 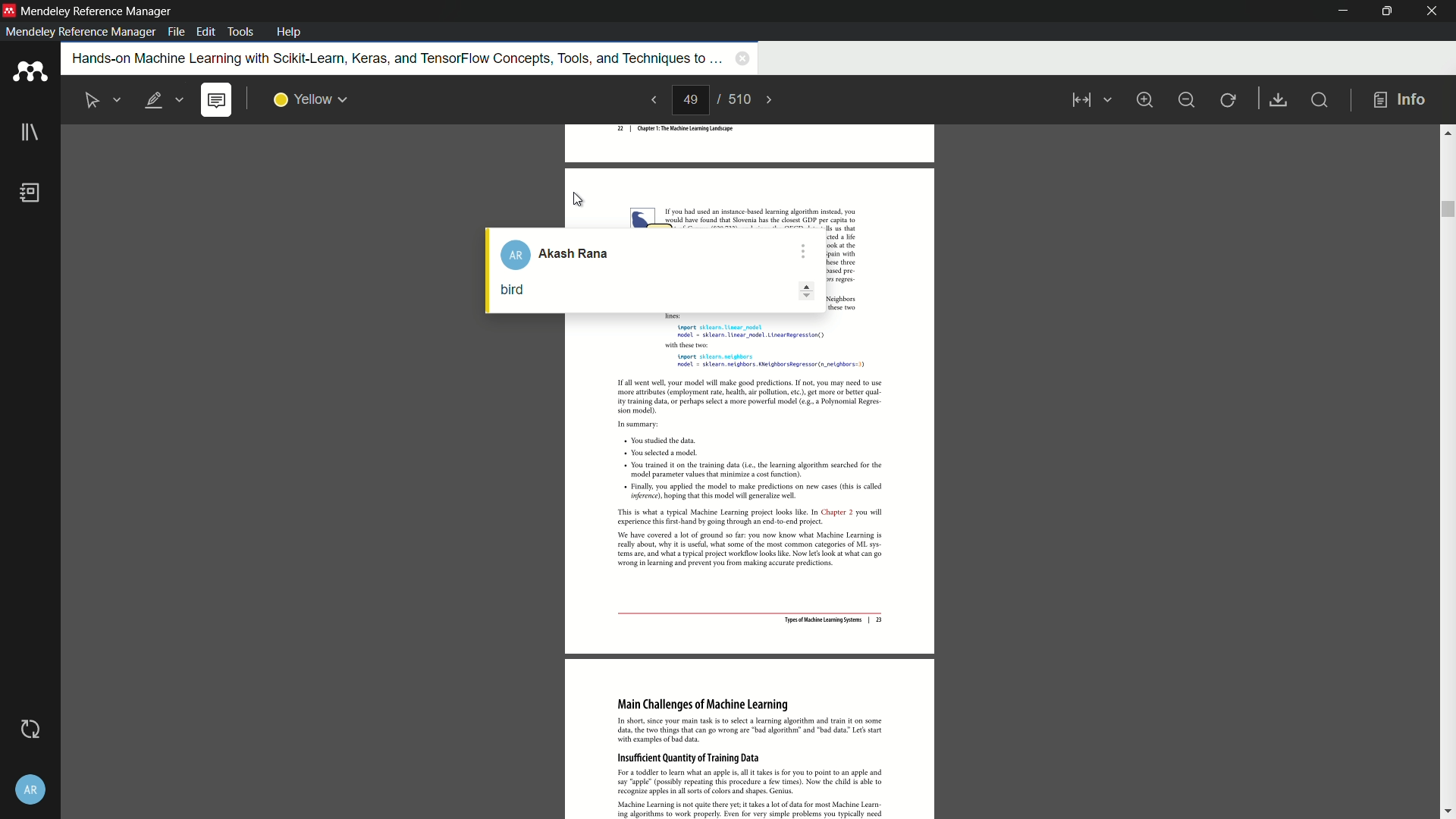 What do you see at coordinates (28, 730) in the screenshot?
I see `sync` at bounding box center [28, 730].